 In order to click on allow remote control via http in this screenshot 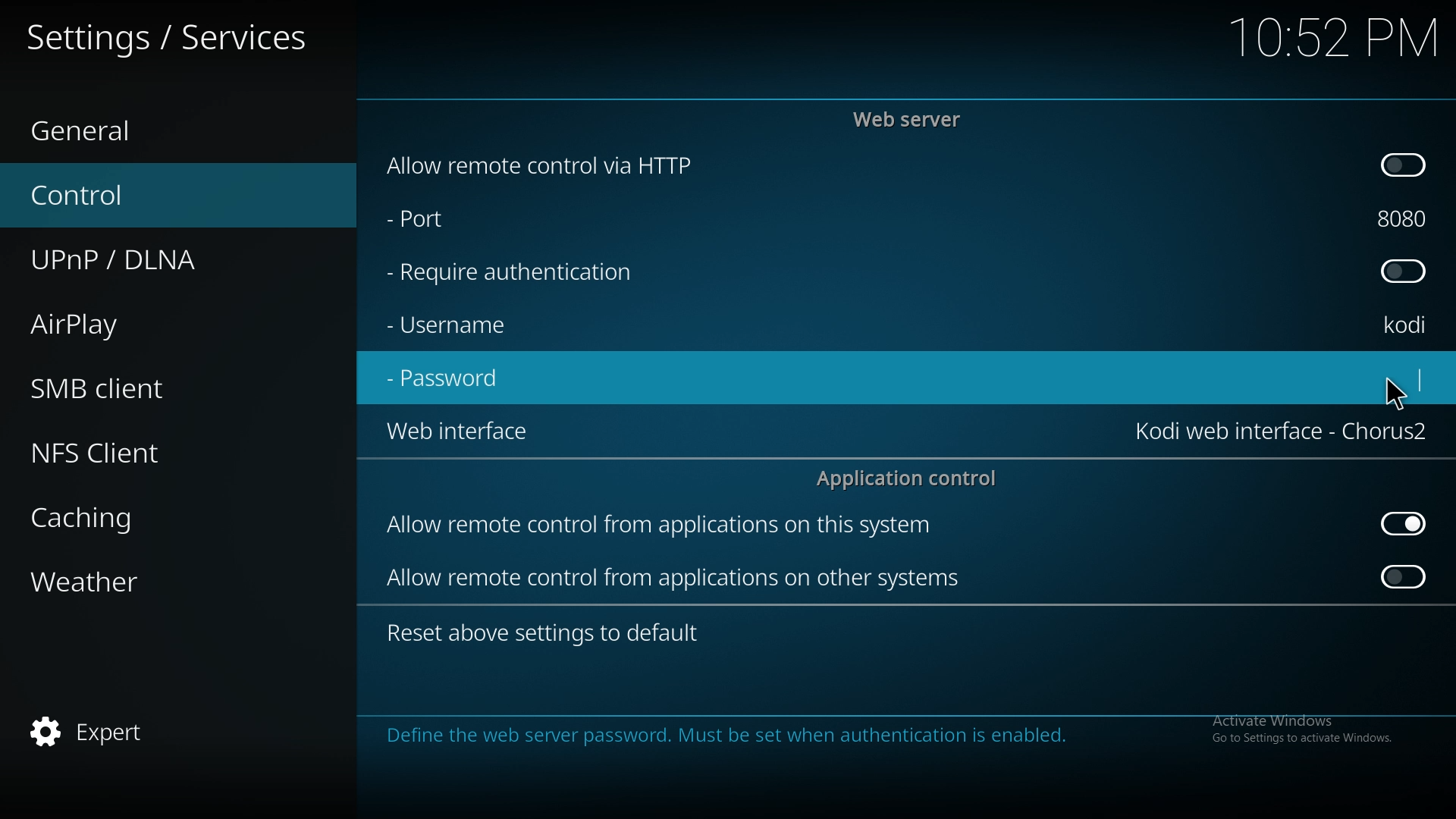, I will do `click(537, 165)`.